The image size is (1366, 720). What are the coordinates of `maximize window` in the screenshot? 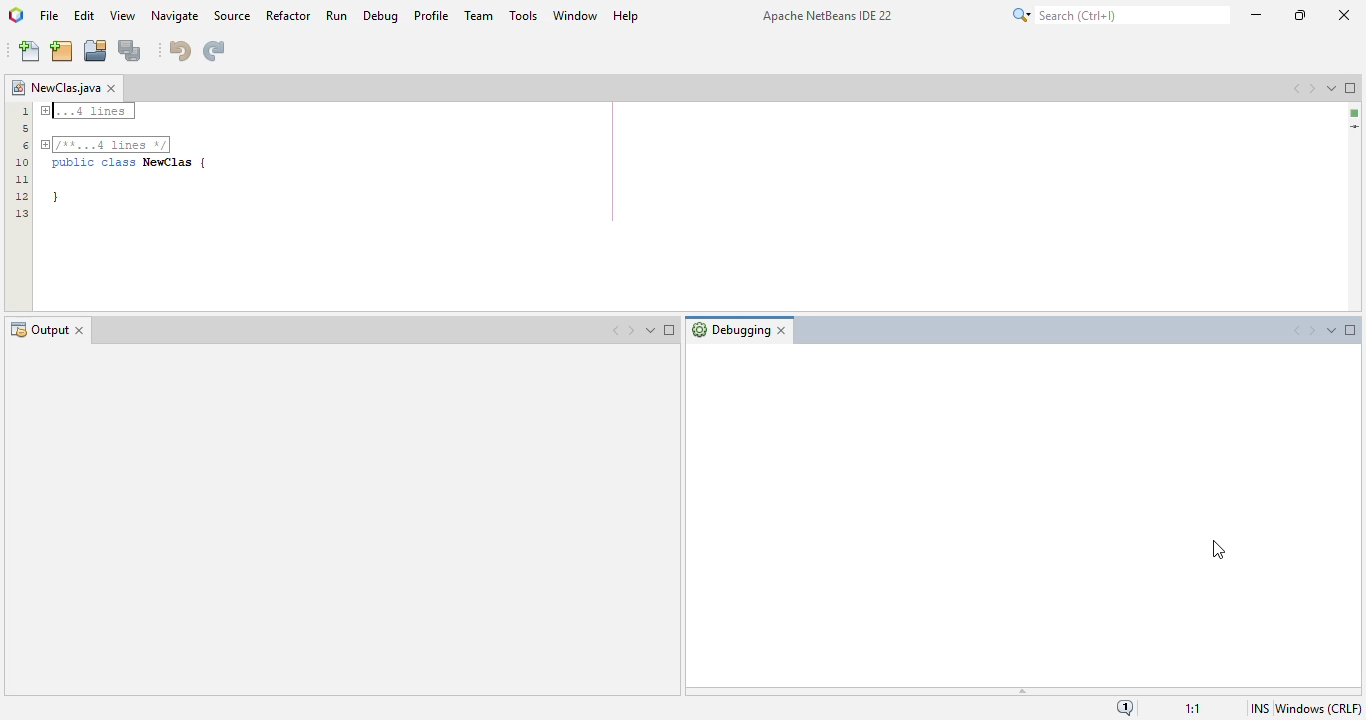 It's located at (1351, 88).